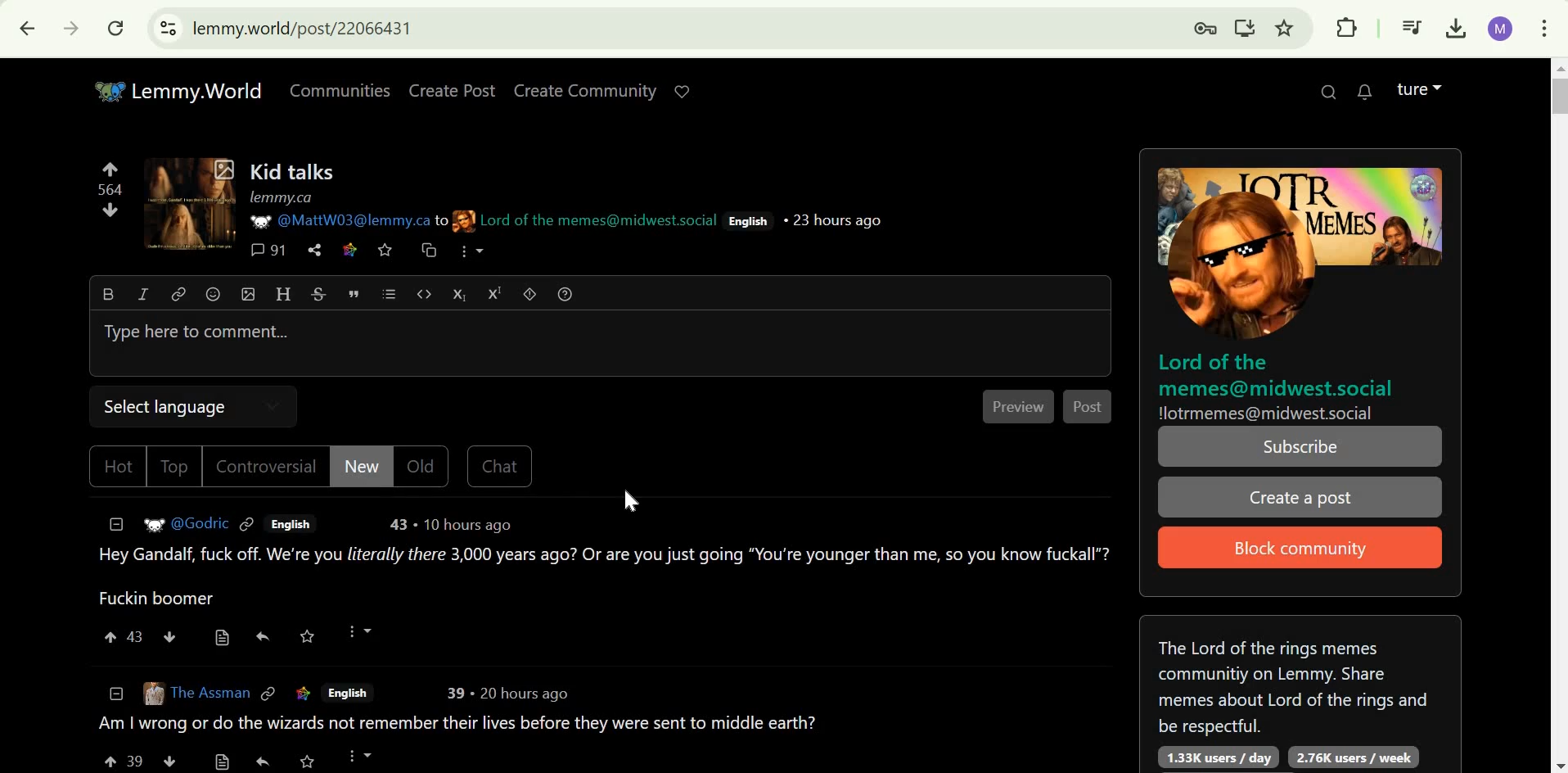 The width and height of the screenshot is (1568, 773). What do you see at coordinates (565, 292) in the screenshot?
I see `formatting help` at bounding box center [565, 292].